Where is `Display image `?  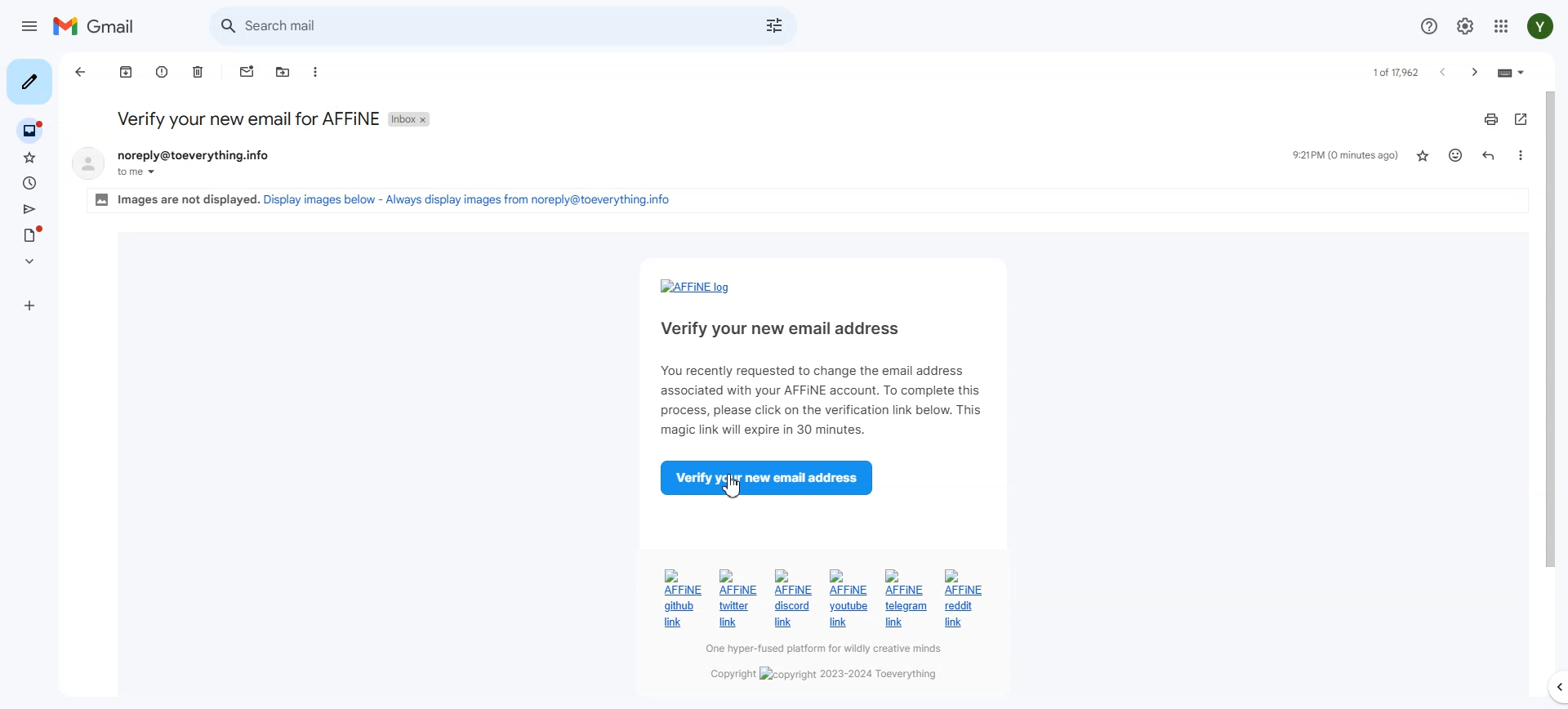 Display image  is located at coordinates (470, 201).